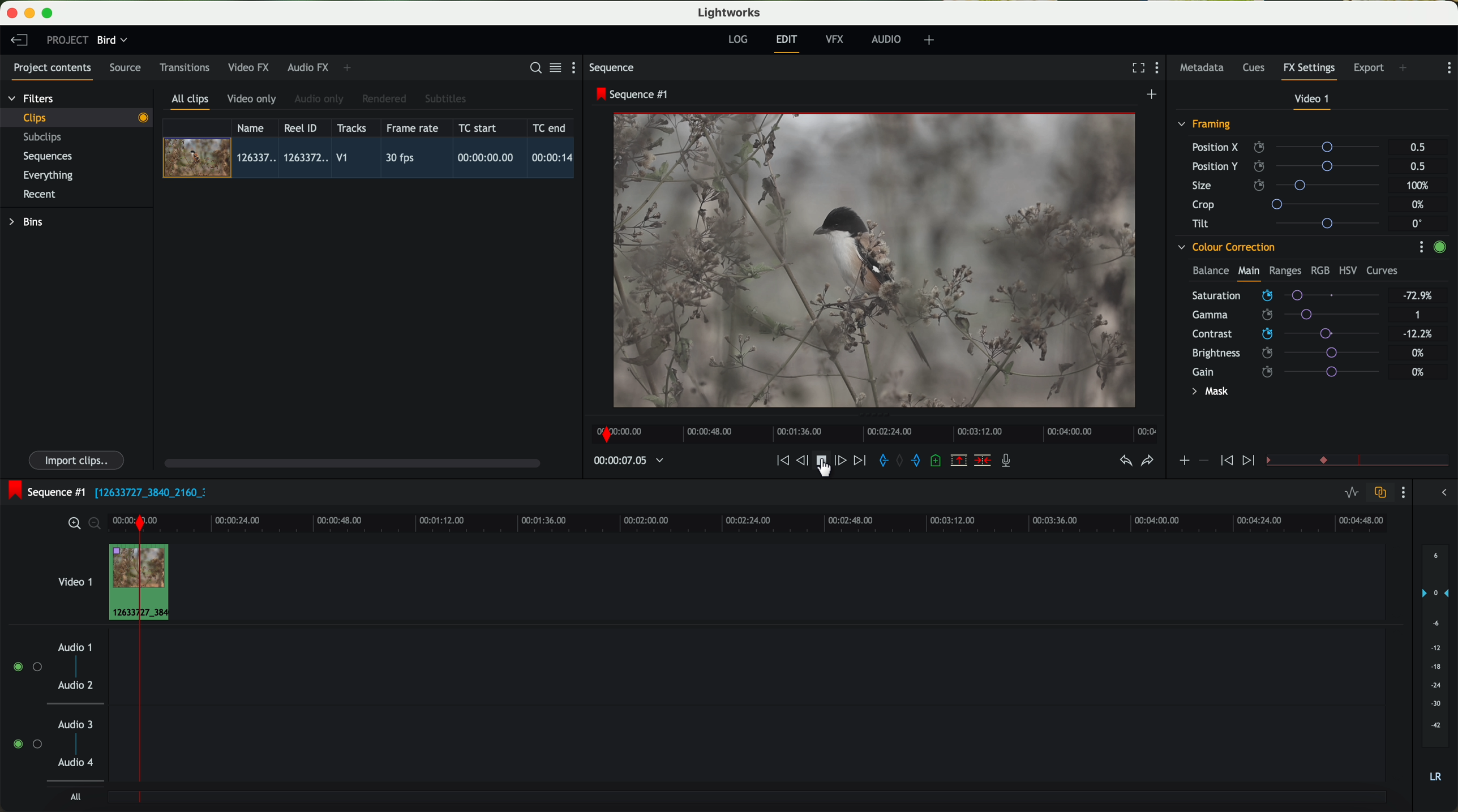 This screenshot has width=1458, height=812. I want to click on 1, so click(1418, 316).